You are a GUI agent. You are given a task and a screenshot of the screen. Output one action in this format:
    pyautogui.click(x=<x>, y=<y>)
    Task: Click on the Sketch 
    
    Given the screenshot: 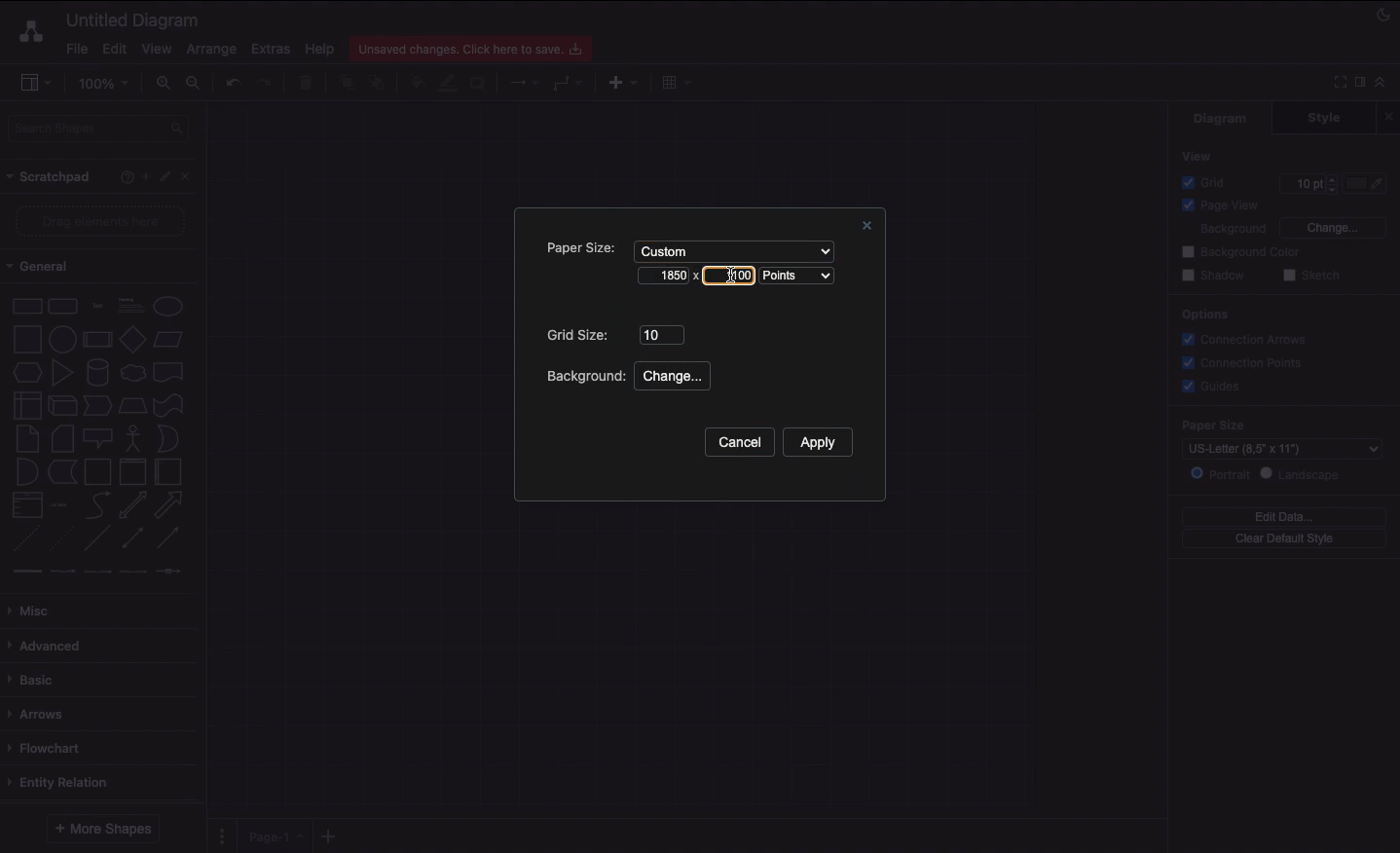 What is the action you would take?
    pyautogui.click(x=1312, y=277)
    